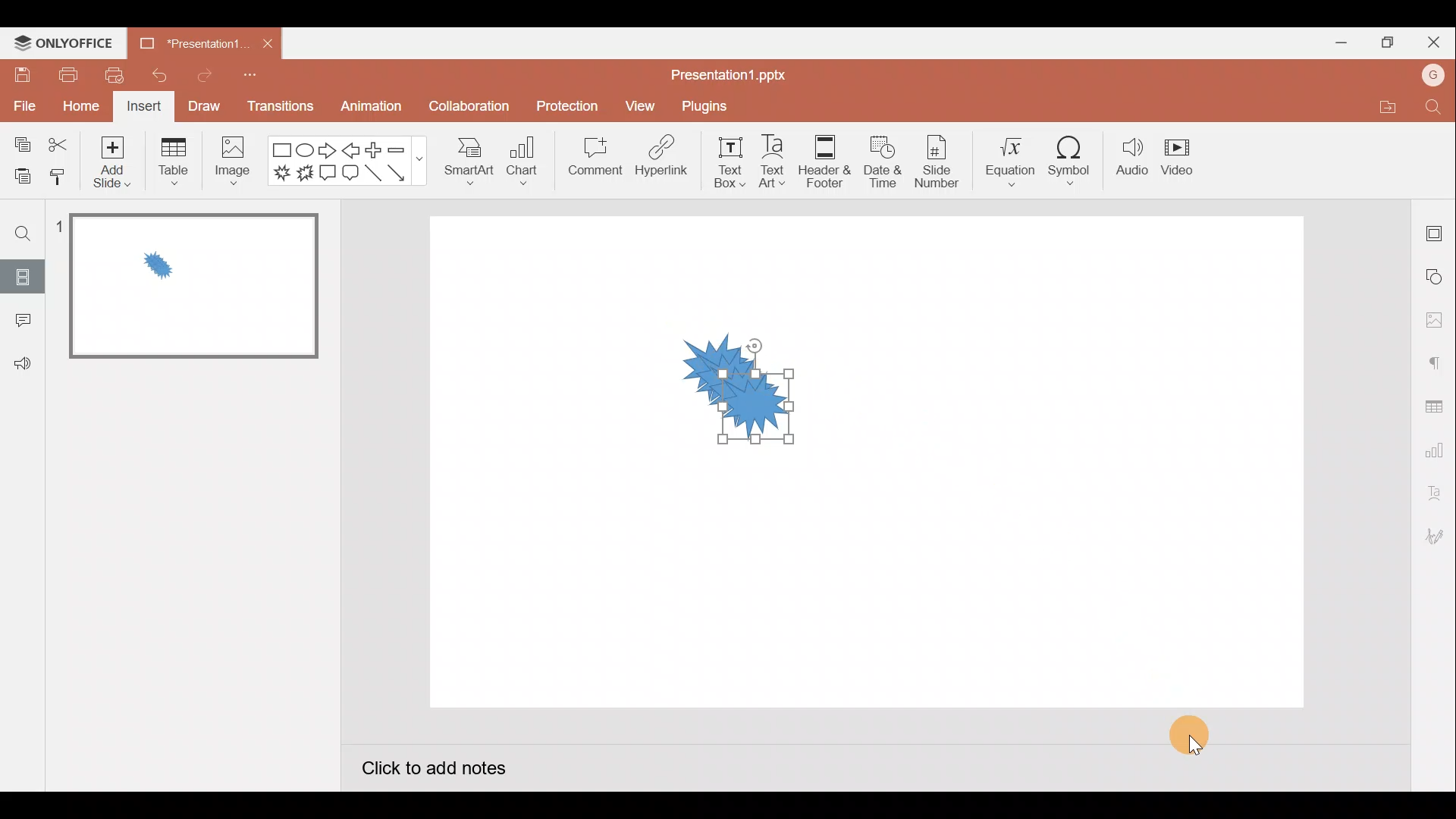 The height and width of the screenshot is (819, 1456). What do you see at coordinates (254, 77) in the screenshot?
I see `Customize quick access toolbar` at bounding box center [254, 77].